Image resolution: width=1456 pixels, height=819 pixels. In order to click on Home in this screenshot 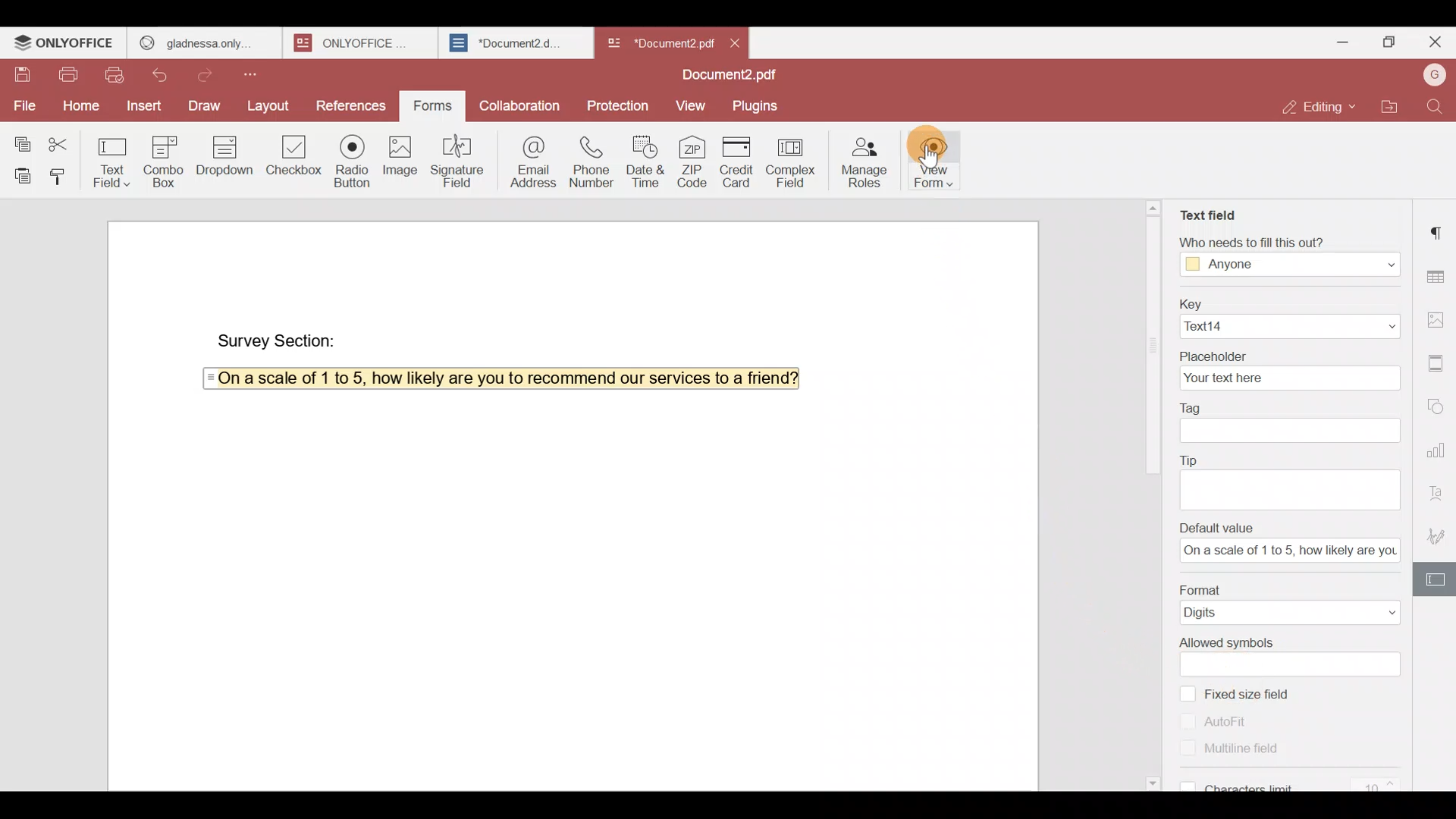, I will do `click(79, 104)`.